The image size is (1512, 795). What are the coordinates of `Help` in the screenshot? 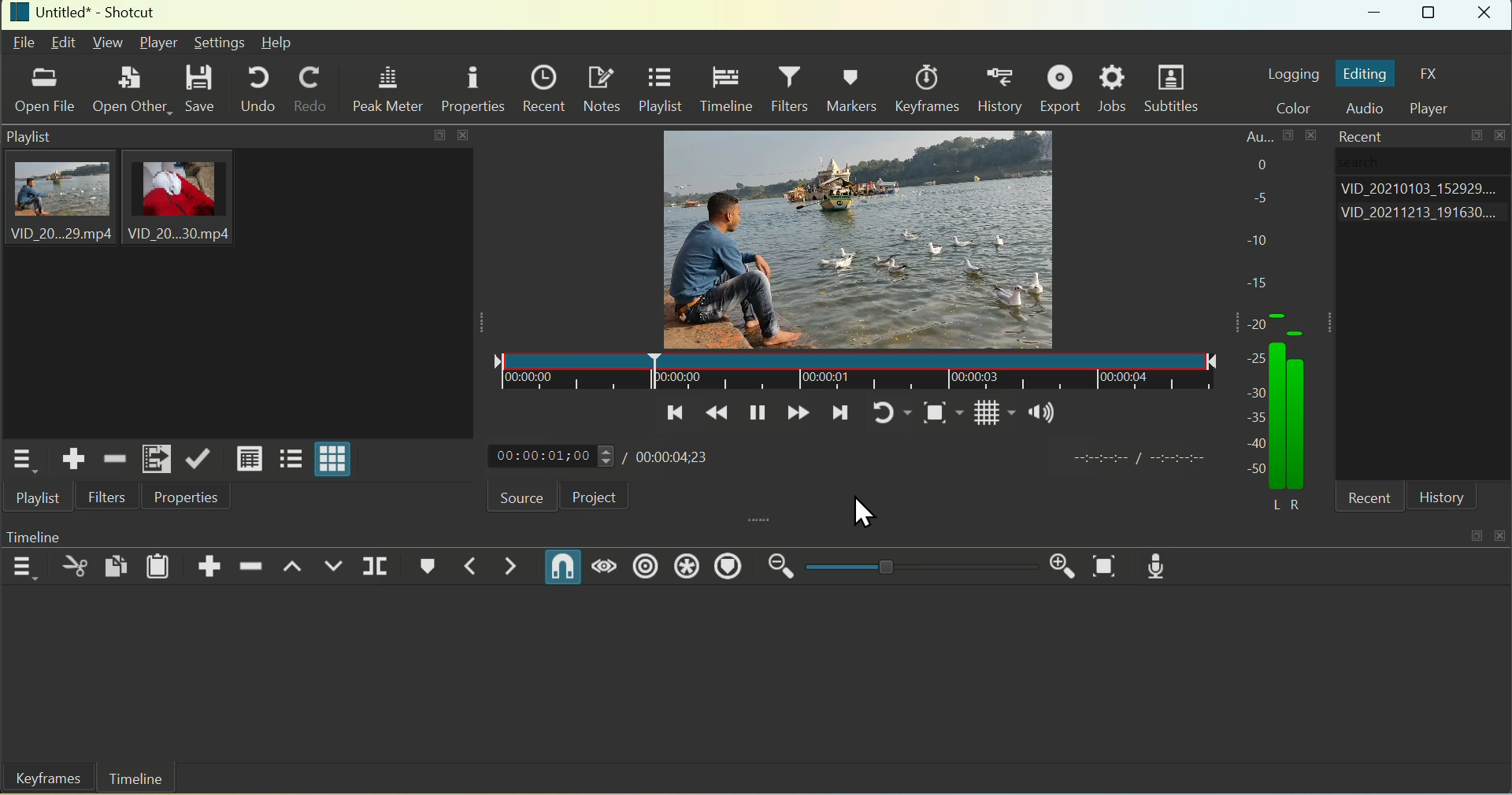 It's located at (277, 43).